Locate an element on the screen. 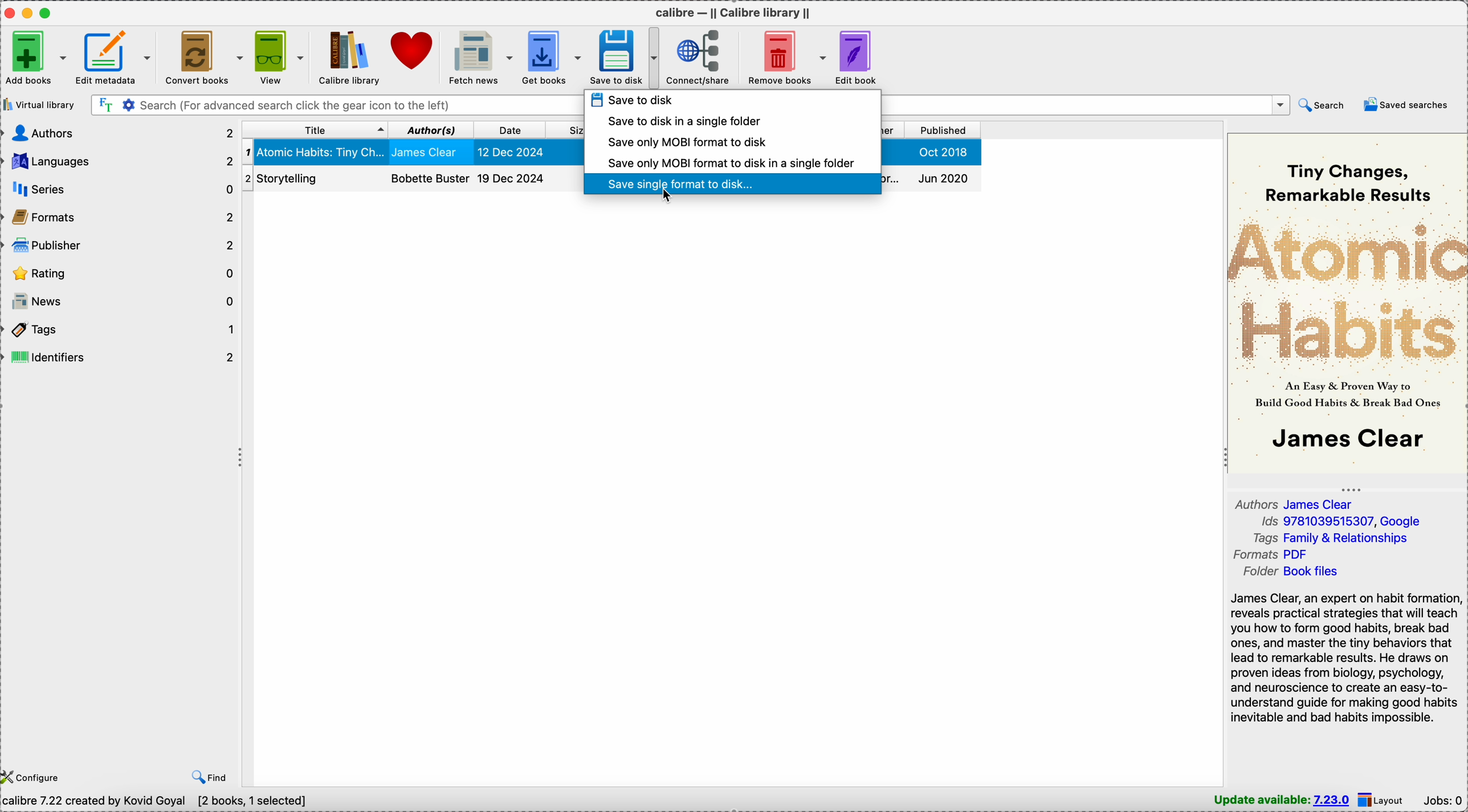  cursor is located at coordinates (672, 201).